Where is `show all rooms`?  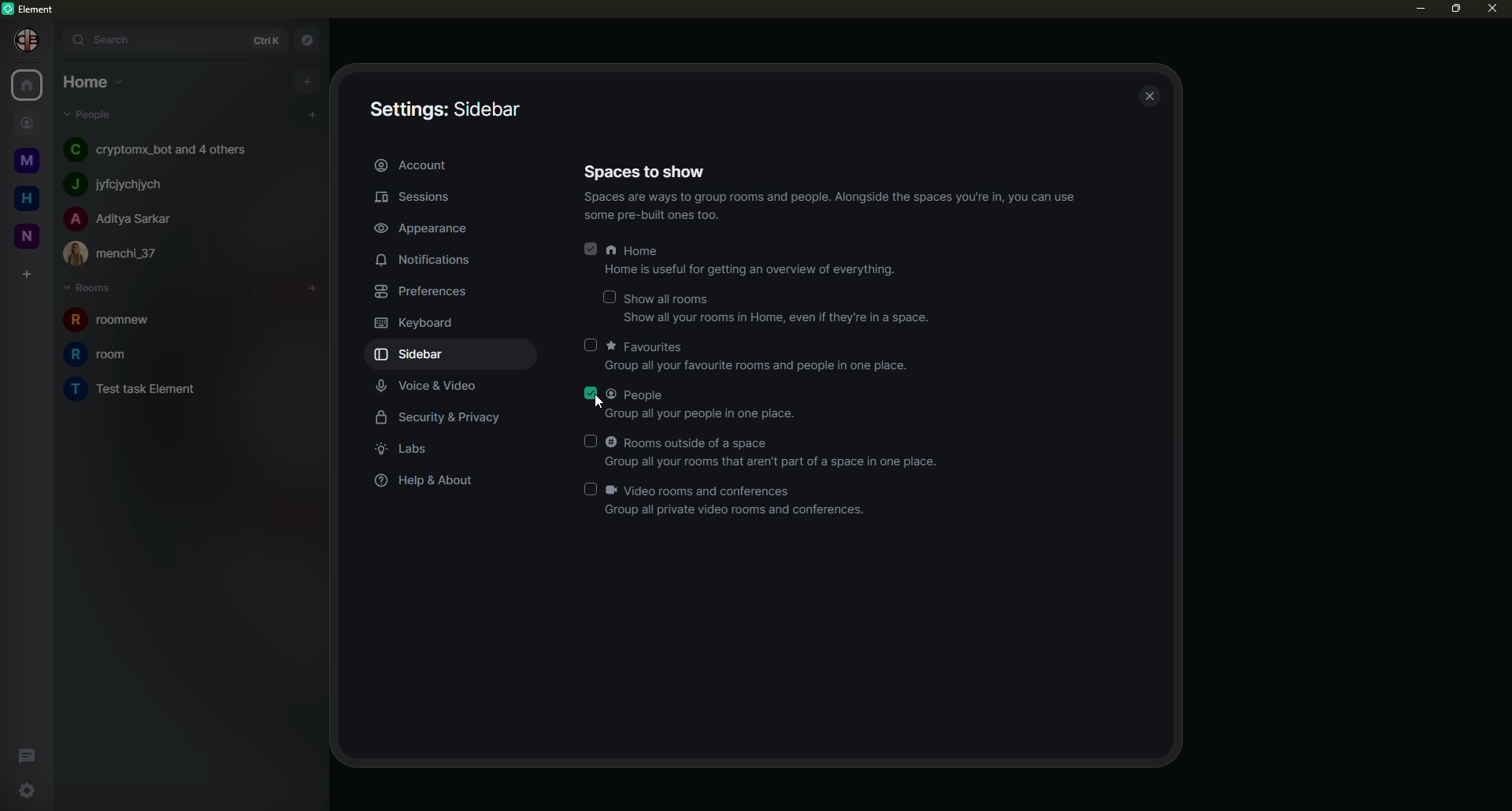 show all rooms is located at coordinates (776, 308).